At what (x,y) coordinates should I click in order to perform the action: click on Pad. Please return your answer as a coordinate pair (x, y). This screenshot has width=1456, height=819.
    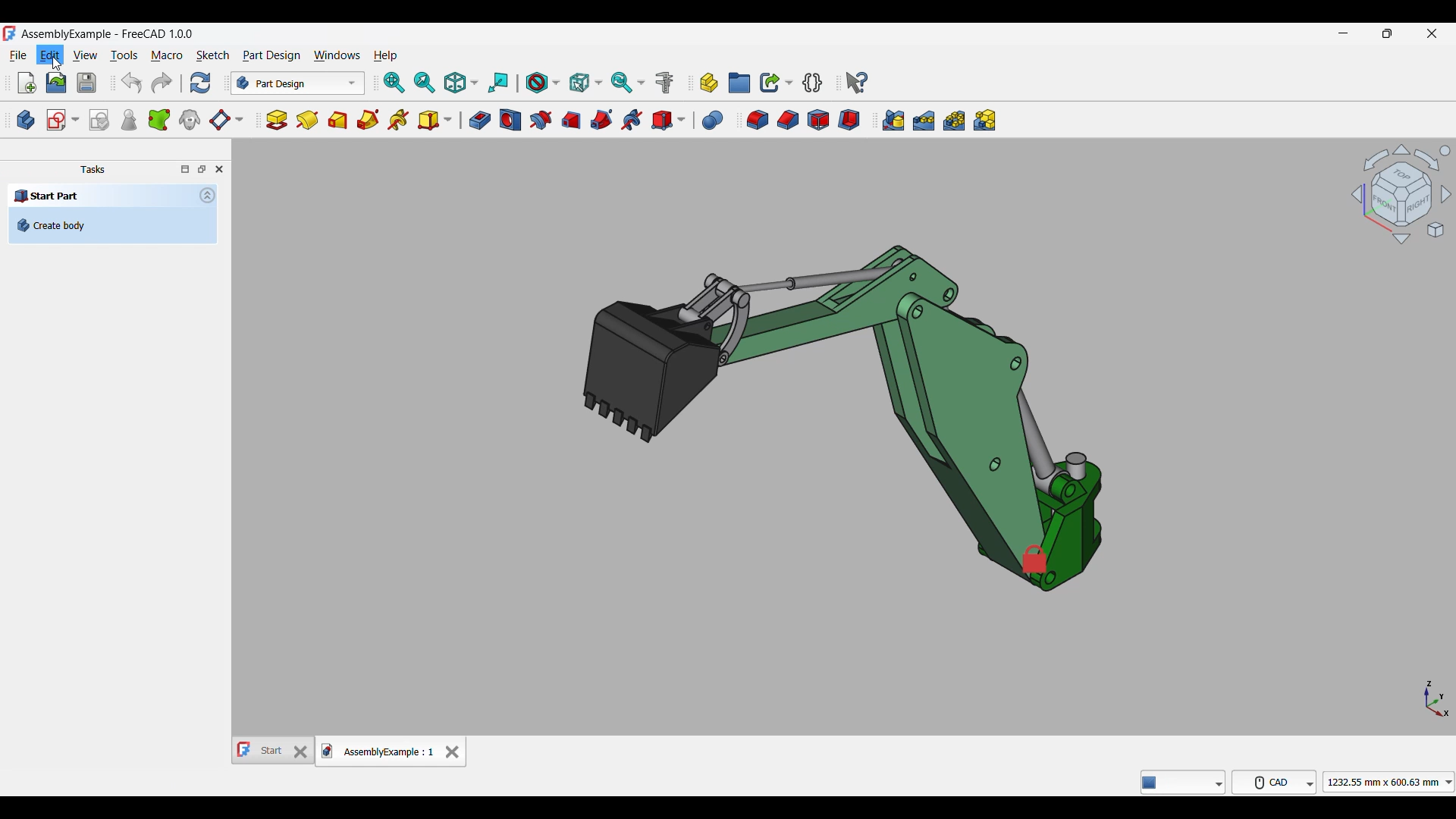
    Looking at the image, I should click on (277, 121).